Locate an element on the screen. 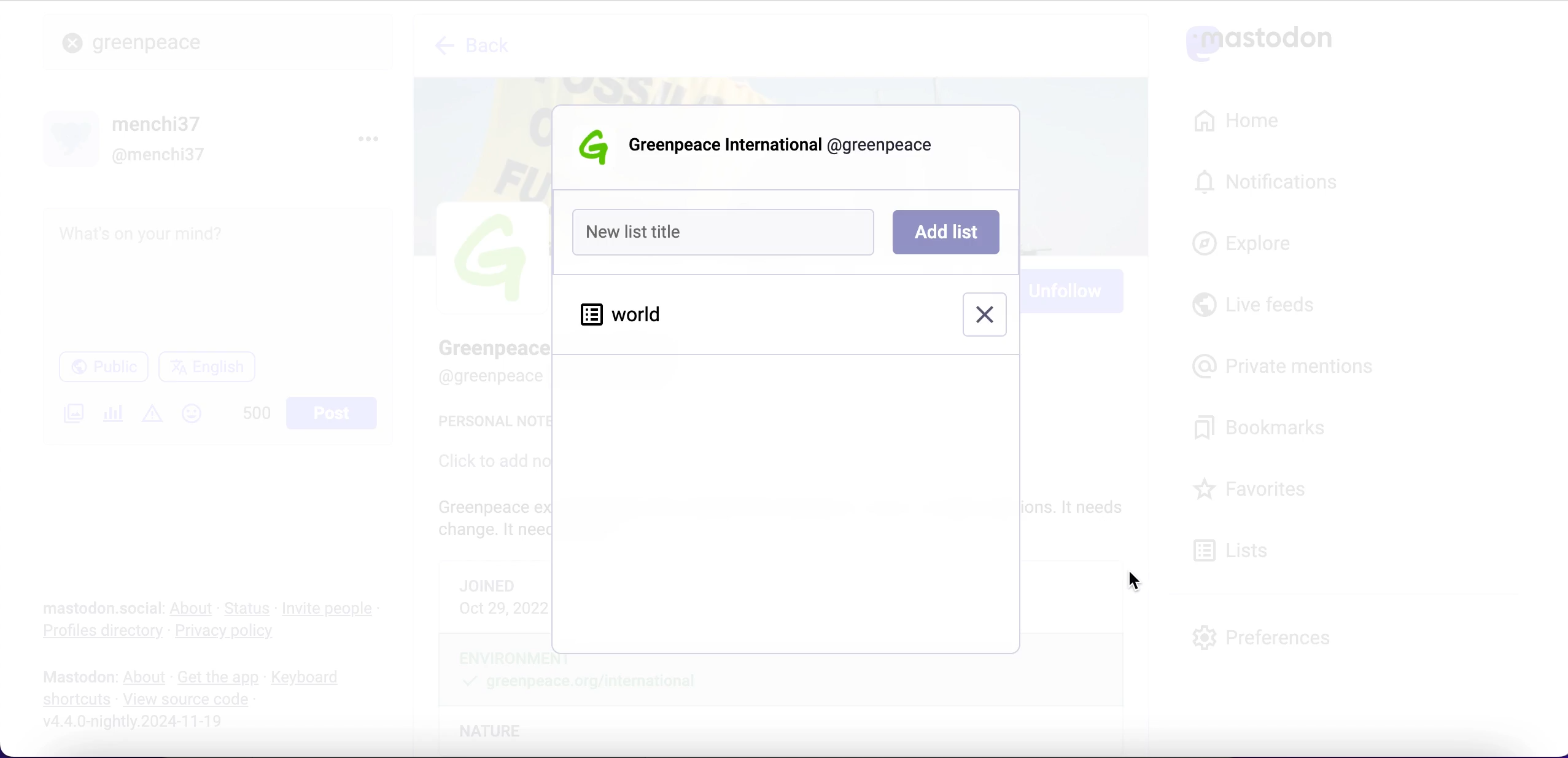 This screenshot has height=758, width=1568. favorites is located at coordinates (1254, 491).